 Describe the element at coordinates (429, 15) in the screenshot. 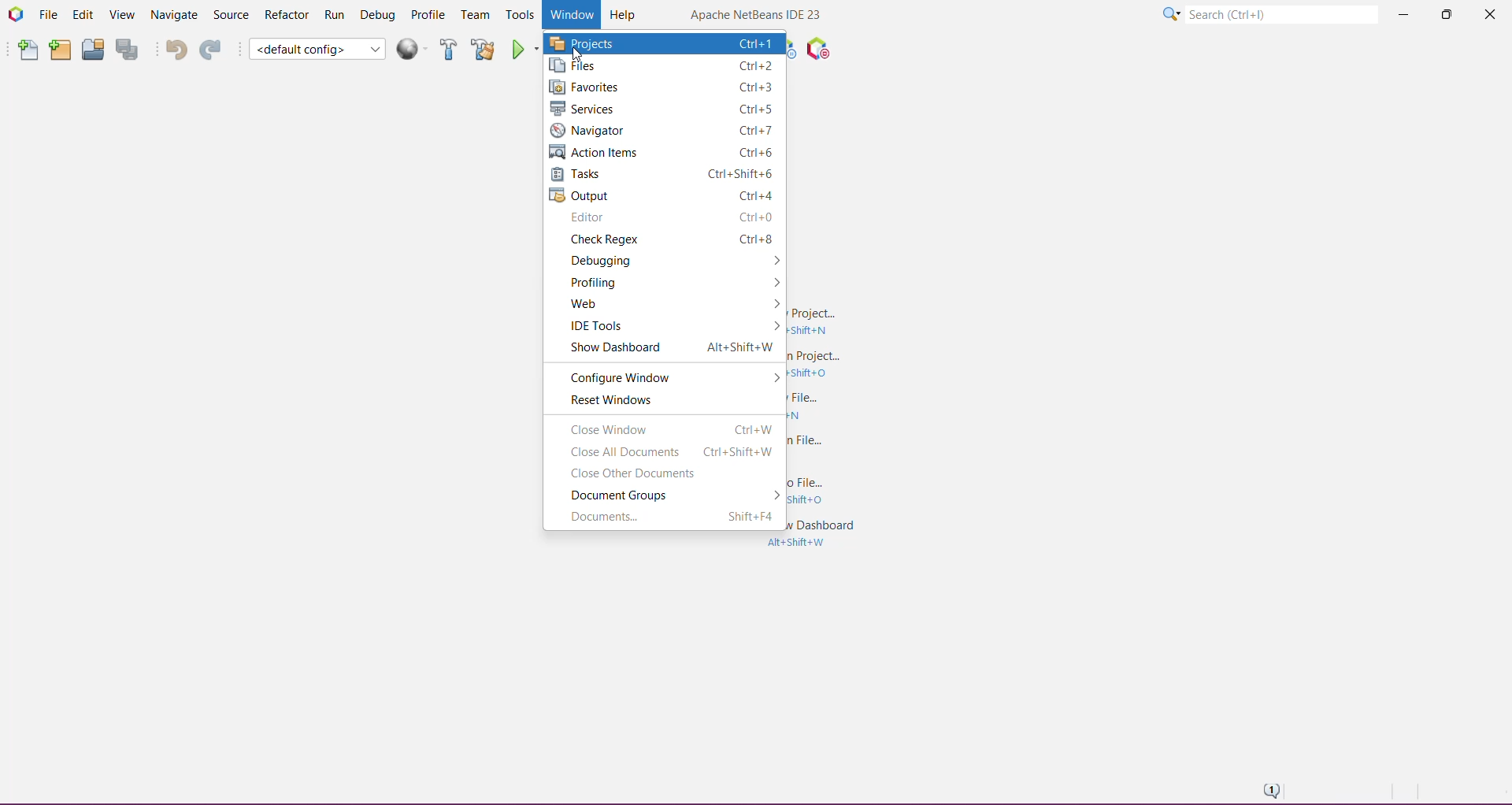

I see `Profile` at that location.